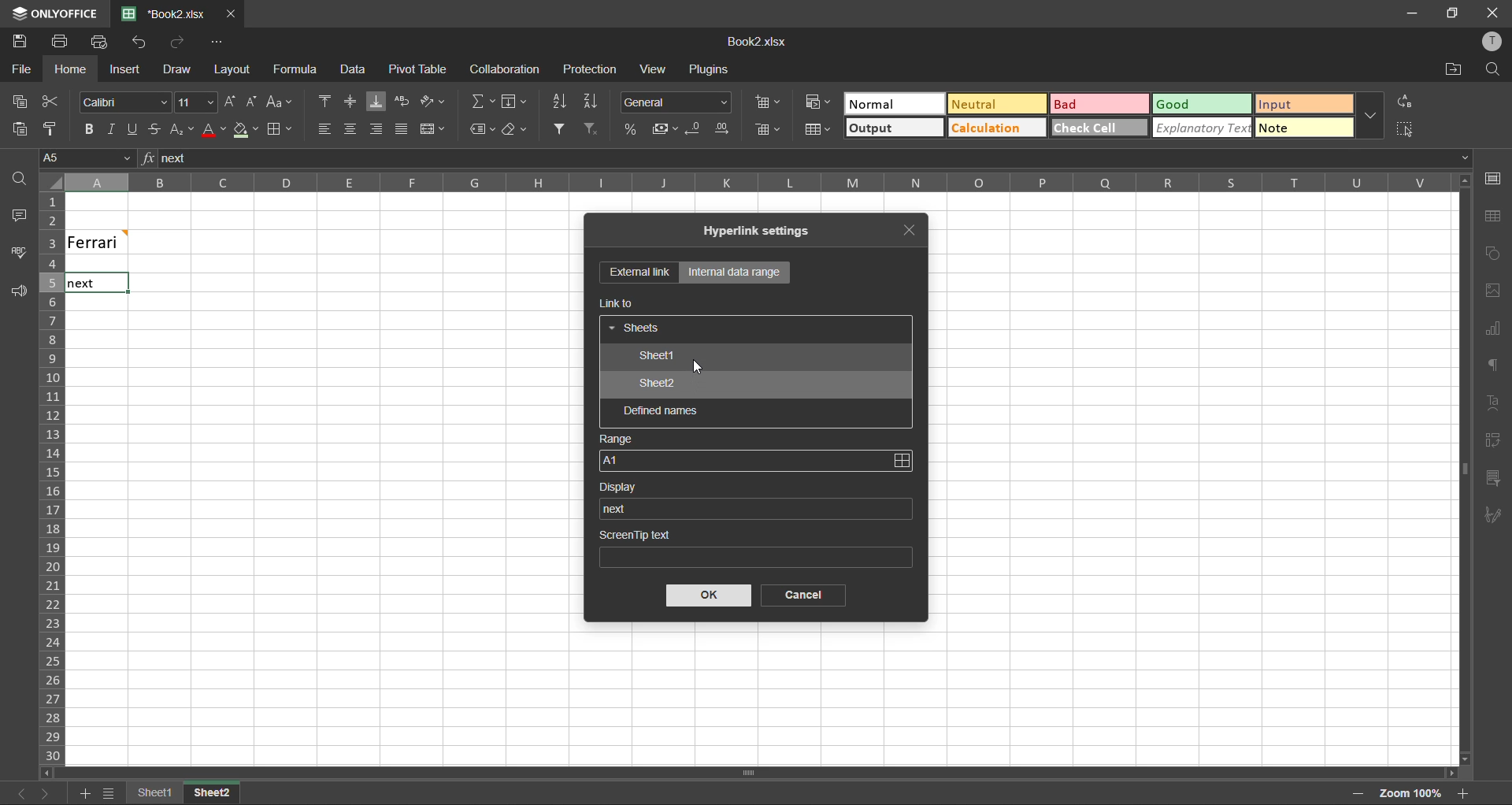 Image resolution: width=1512 pixels, height=805 pixels. I want to click on undo, so click(139, 42).